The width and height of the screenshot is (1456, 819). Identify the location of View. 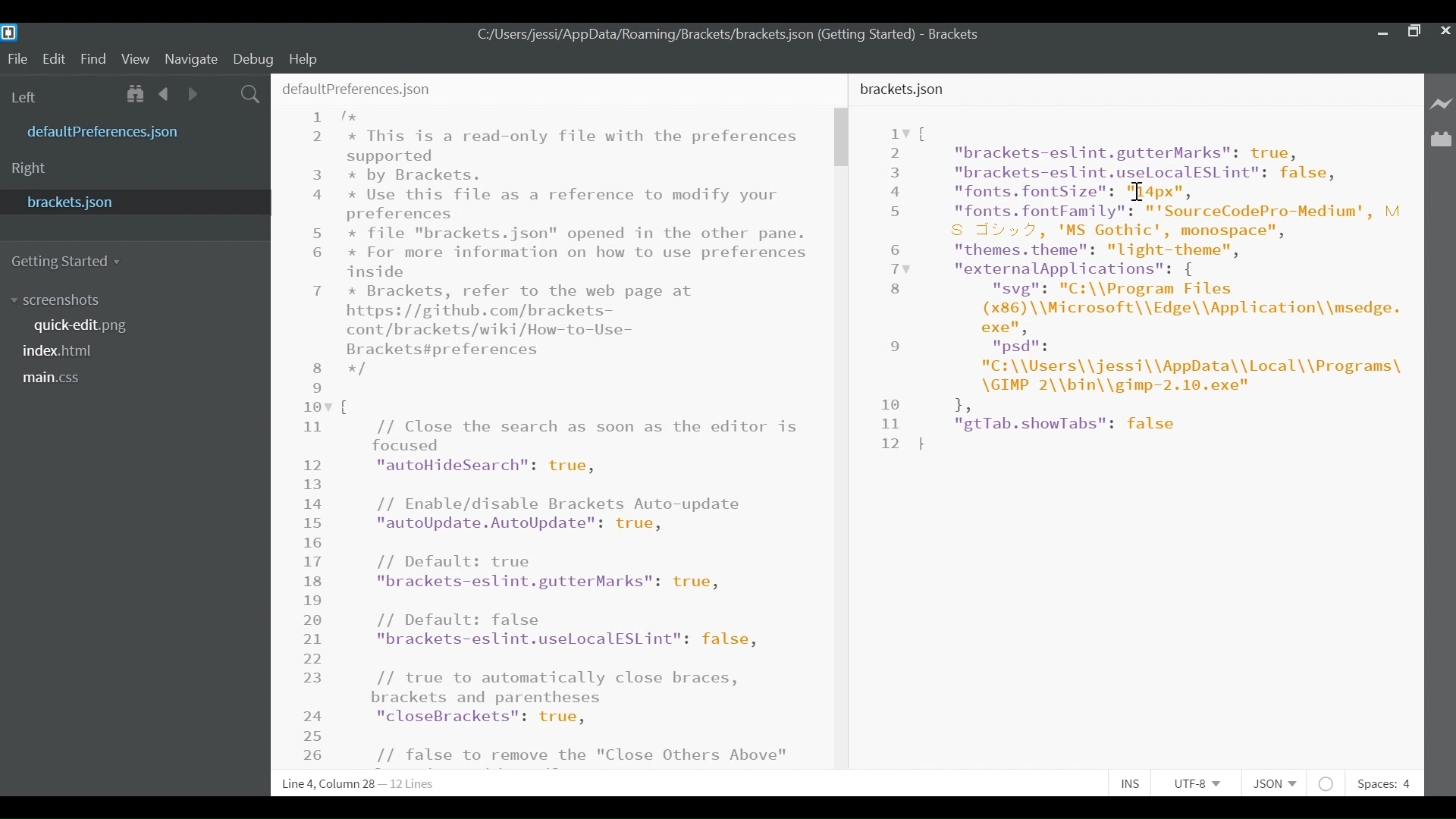
(136, 58).